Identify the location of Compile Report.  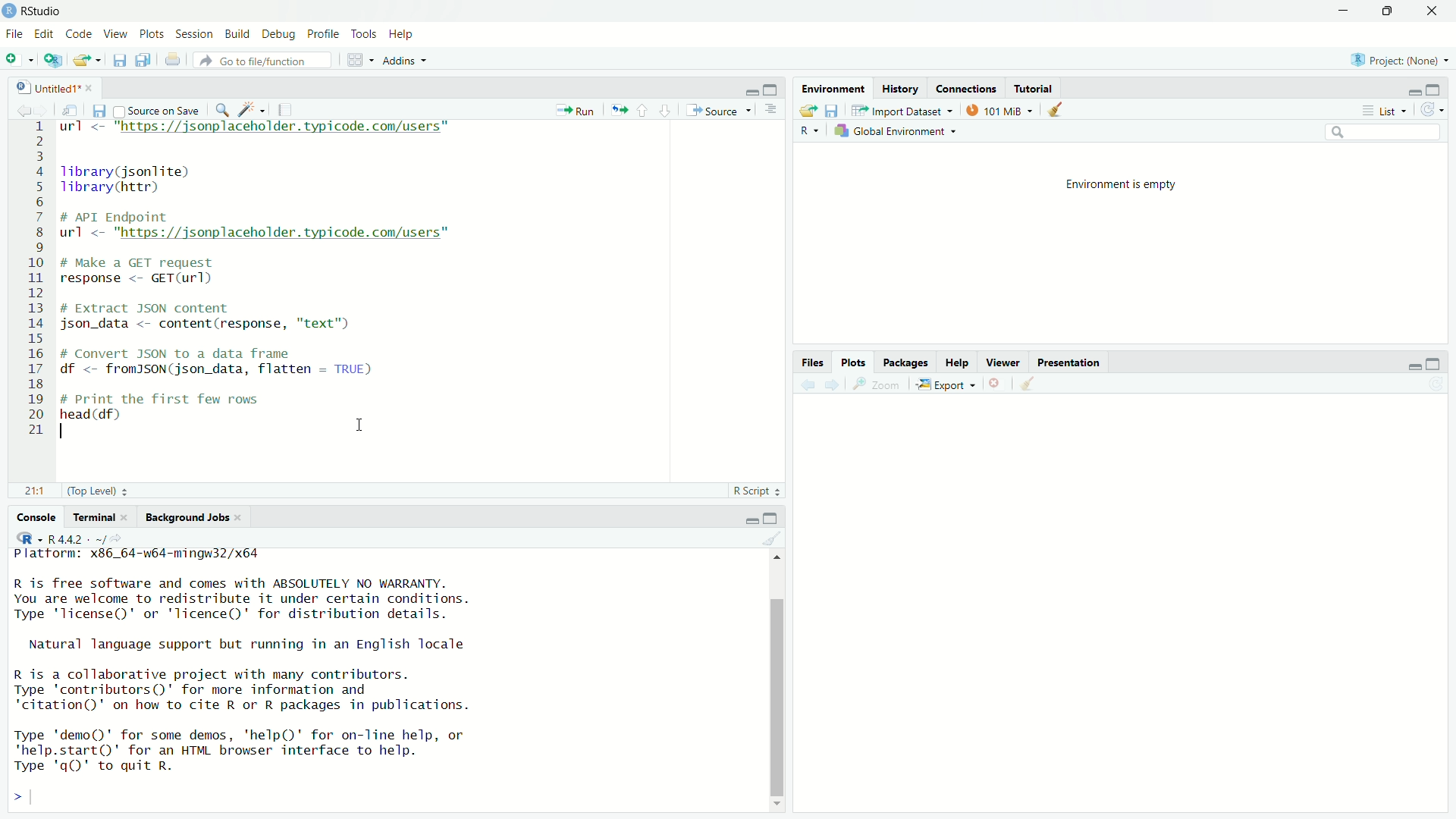
(287, 109).